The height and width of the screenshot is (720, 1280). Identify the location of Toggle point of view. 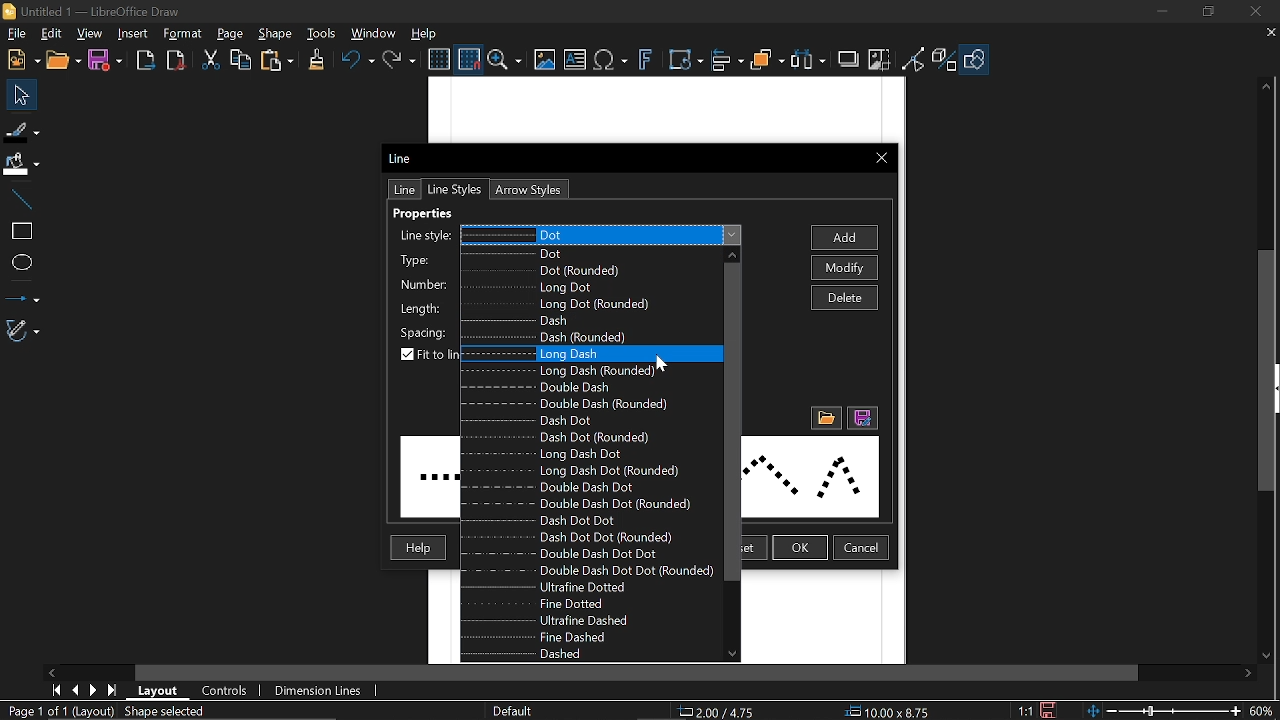
(914, 60).